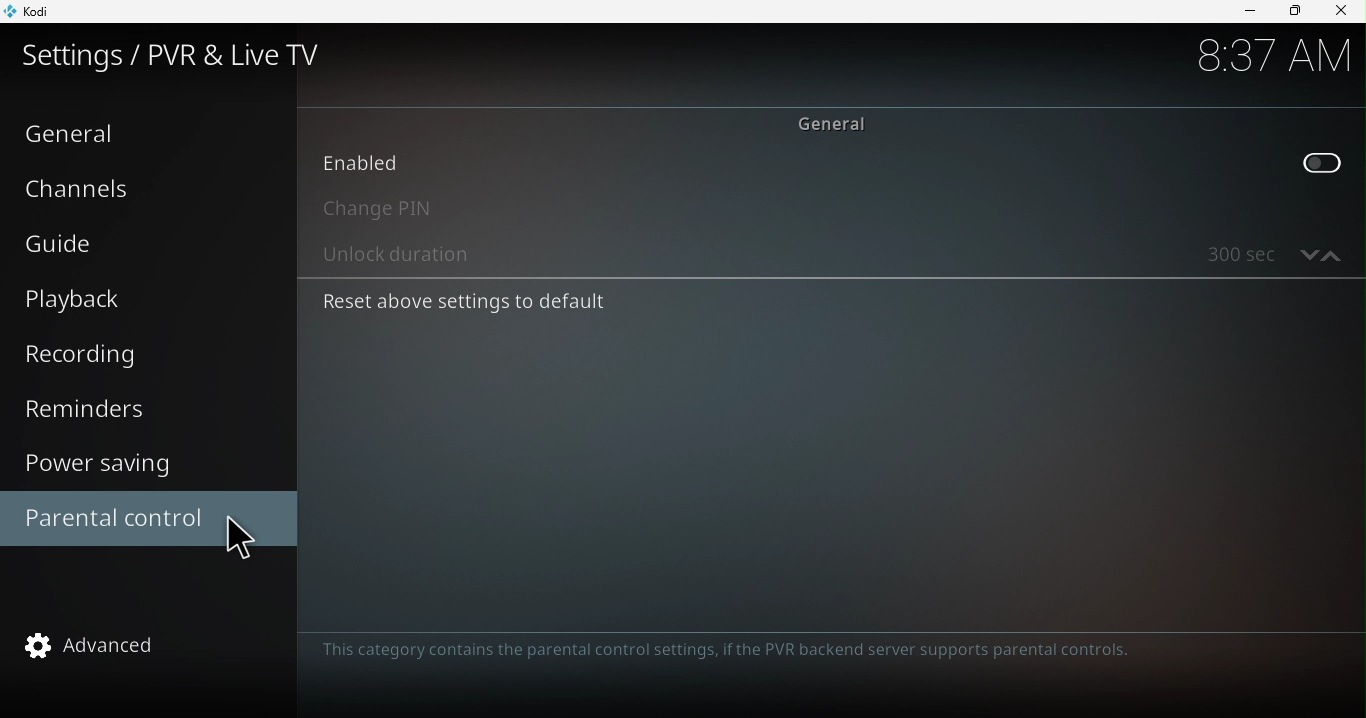 Image resolution: width=1366 pixels, height=718 pixels. What do you see at coordinates (790, 259) in the screenshot?
I see `Unlock duration` at bounding box center [790, 259].